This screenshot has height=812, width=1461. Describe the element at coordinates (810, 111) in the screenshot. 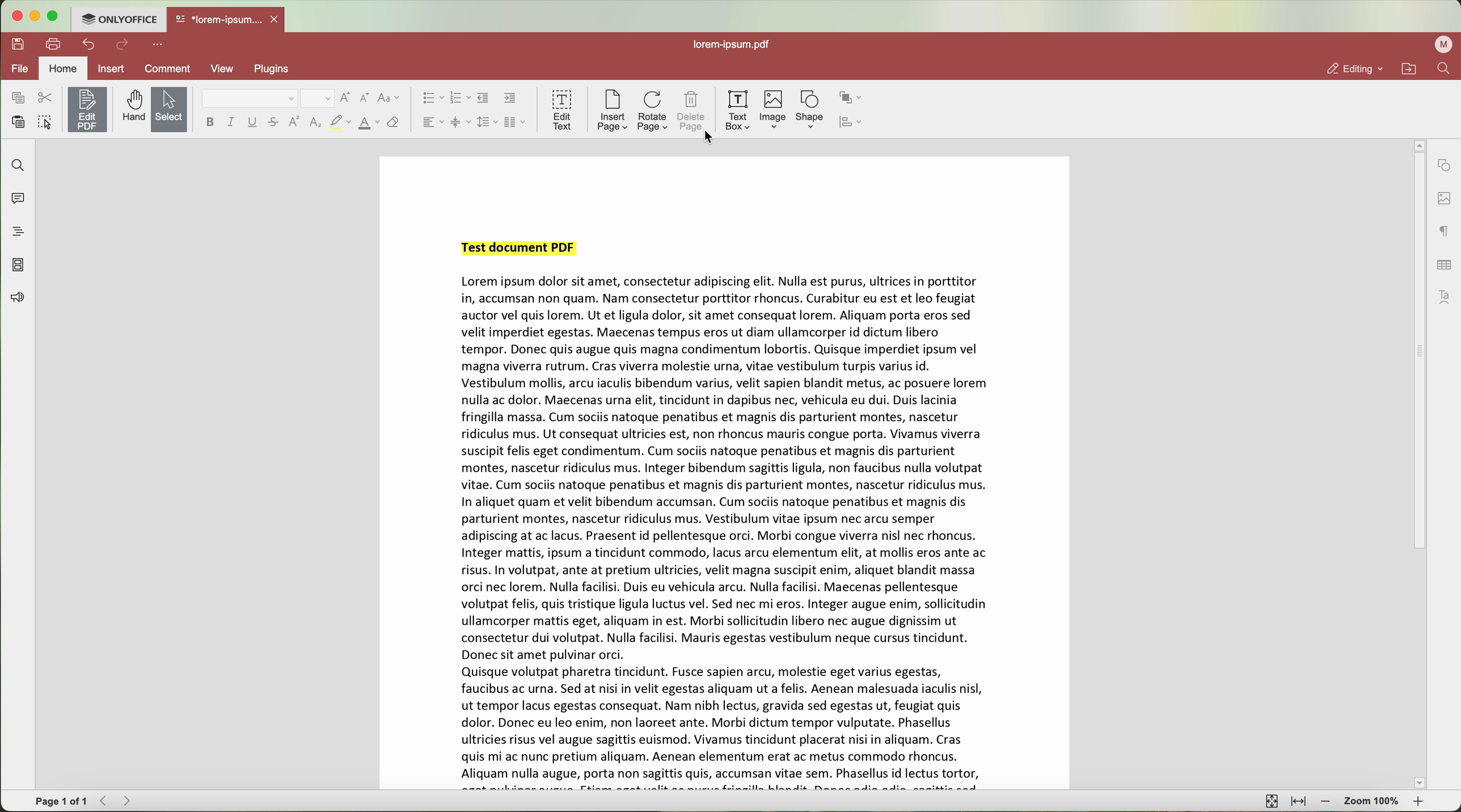

I see `shape` at that location.